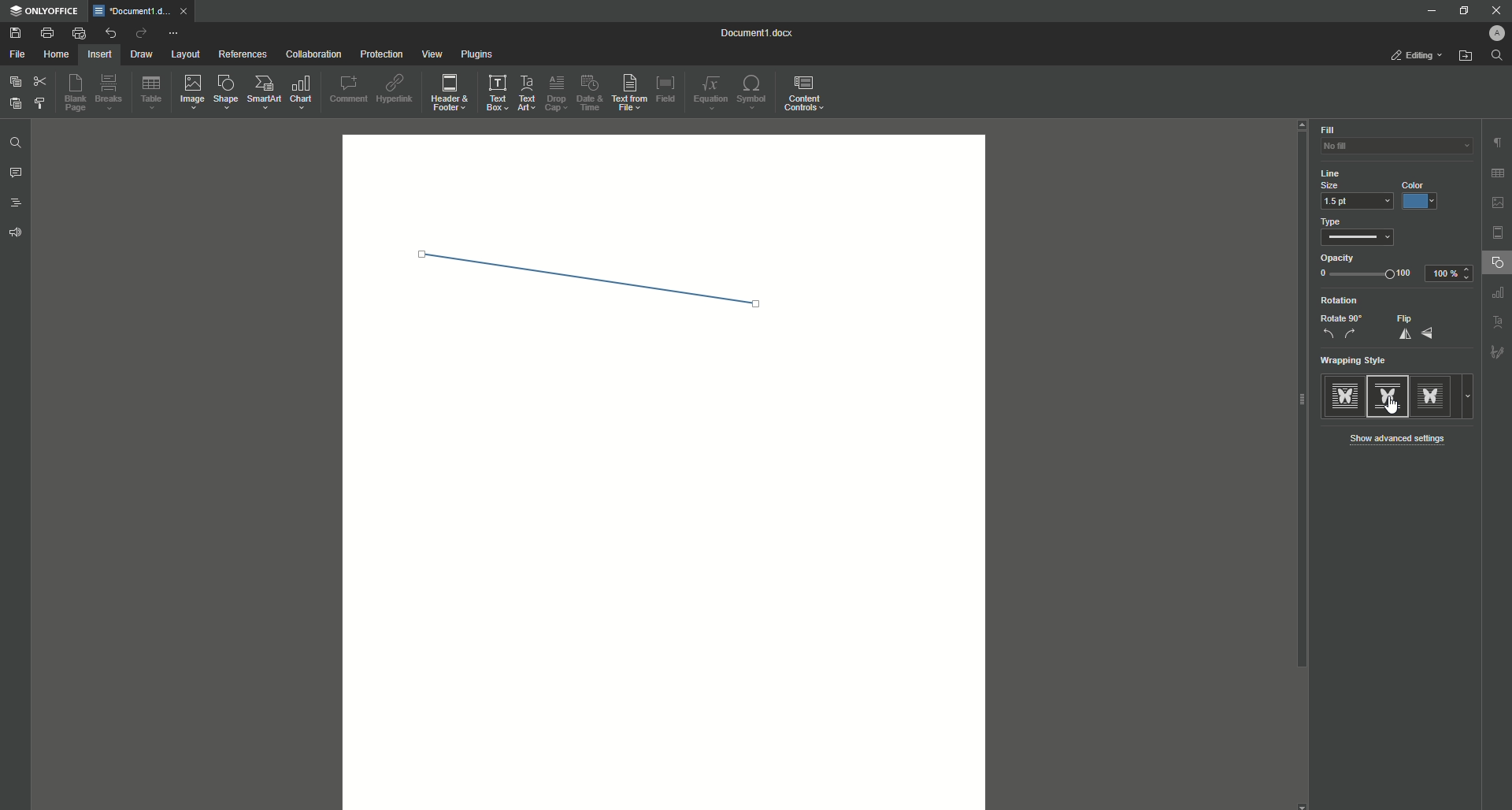  I want to click on Line Size, so click(1345, 178).